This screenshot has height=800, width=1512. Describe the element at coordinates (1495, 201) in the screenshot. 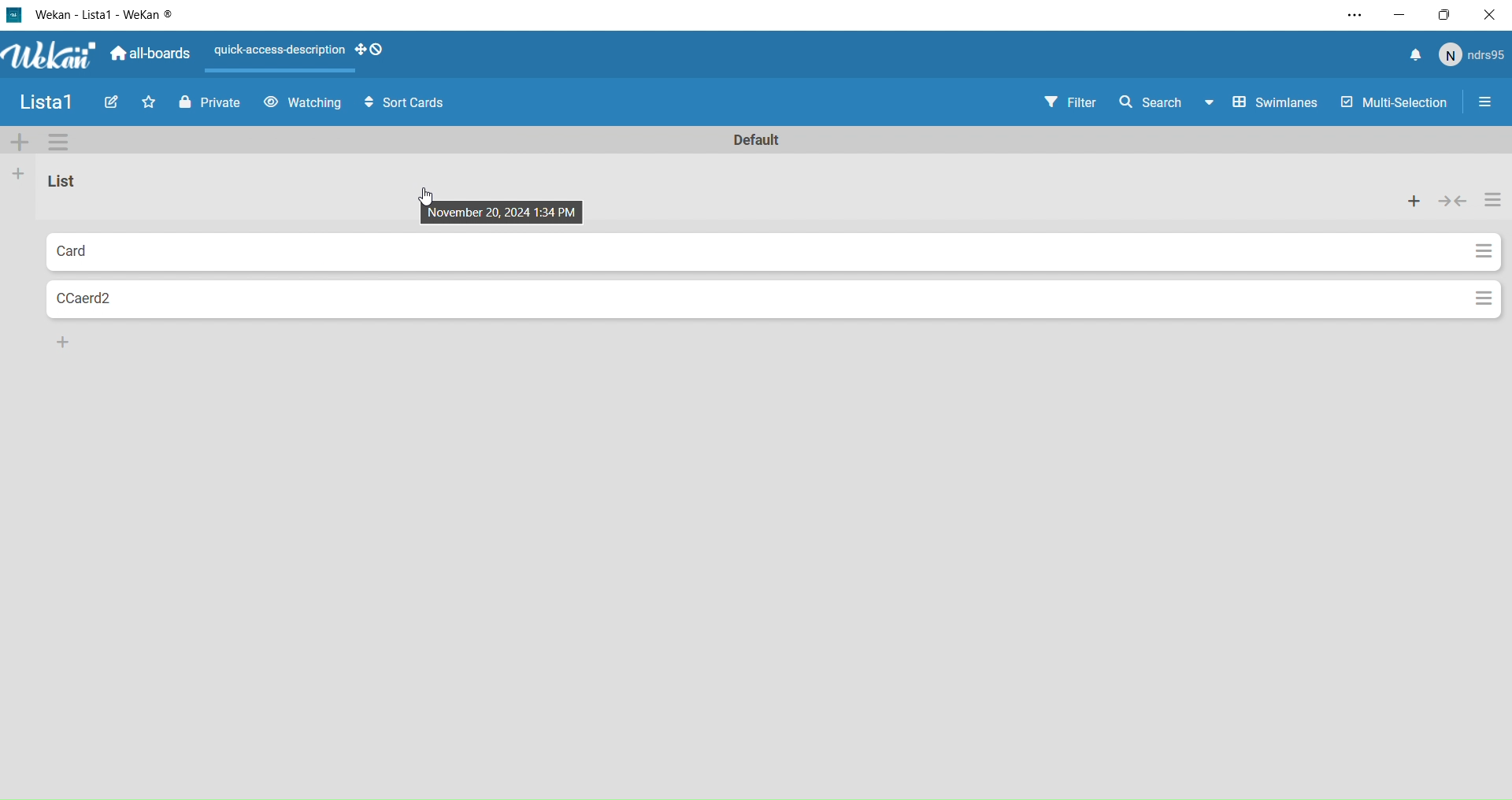

I see `Options` at that location.